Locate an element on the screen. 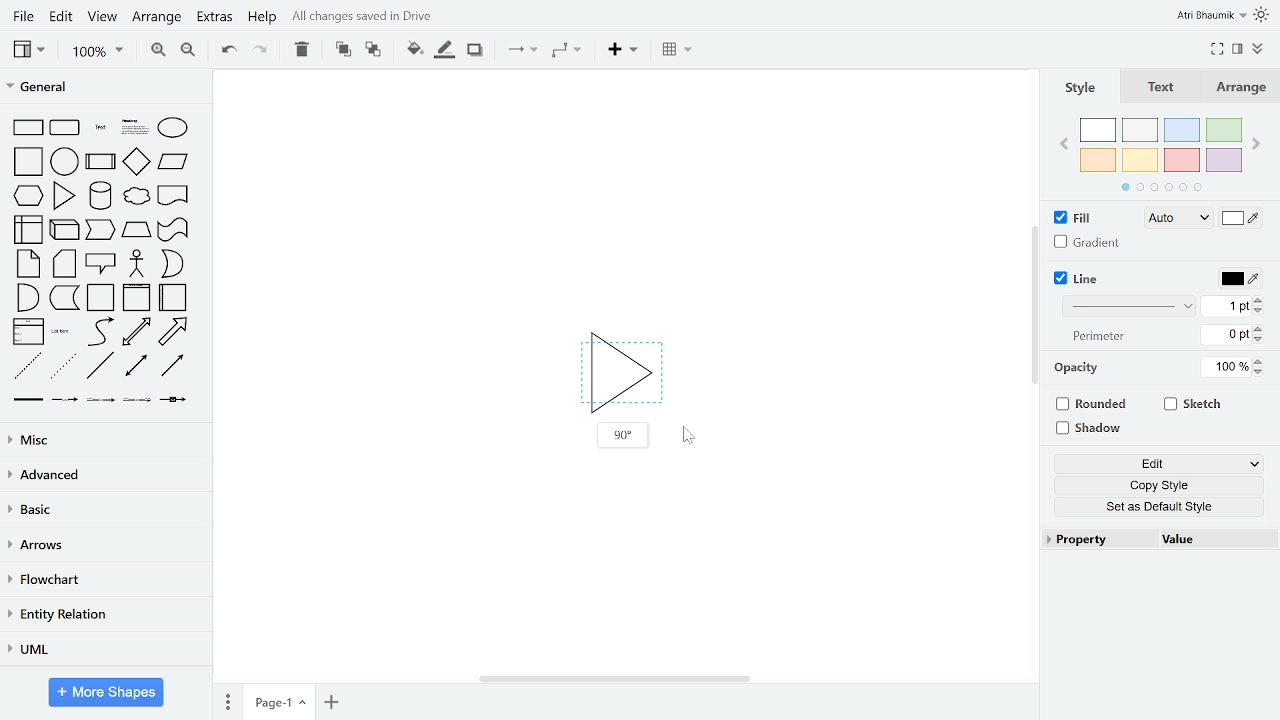 The height and width of the screenshot is (720, 1280). fill line is located at coordinates (444, 49).